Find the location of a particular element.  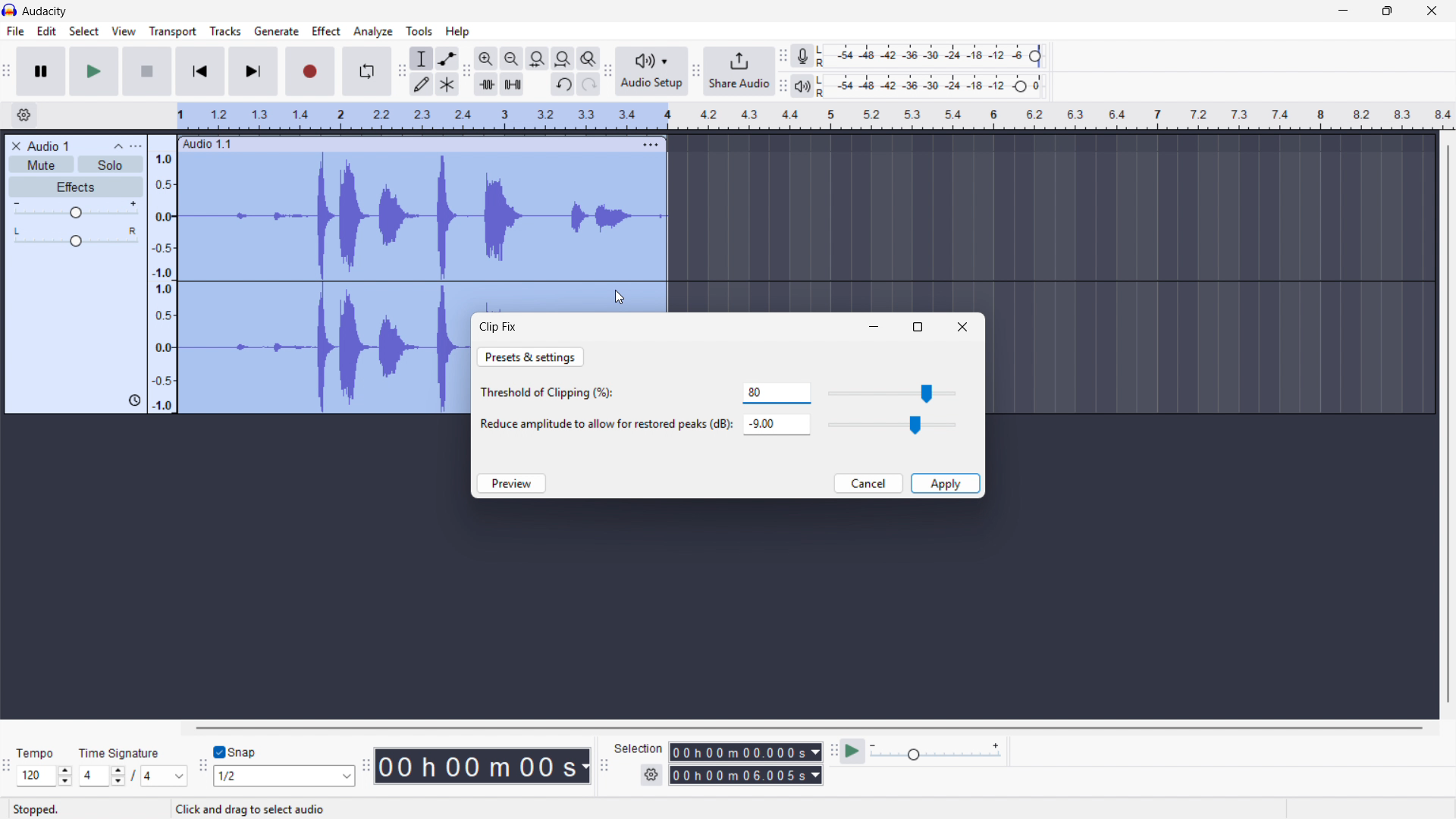

Remove track  is located at coordinates (17, 146).